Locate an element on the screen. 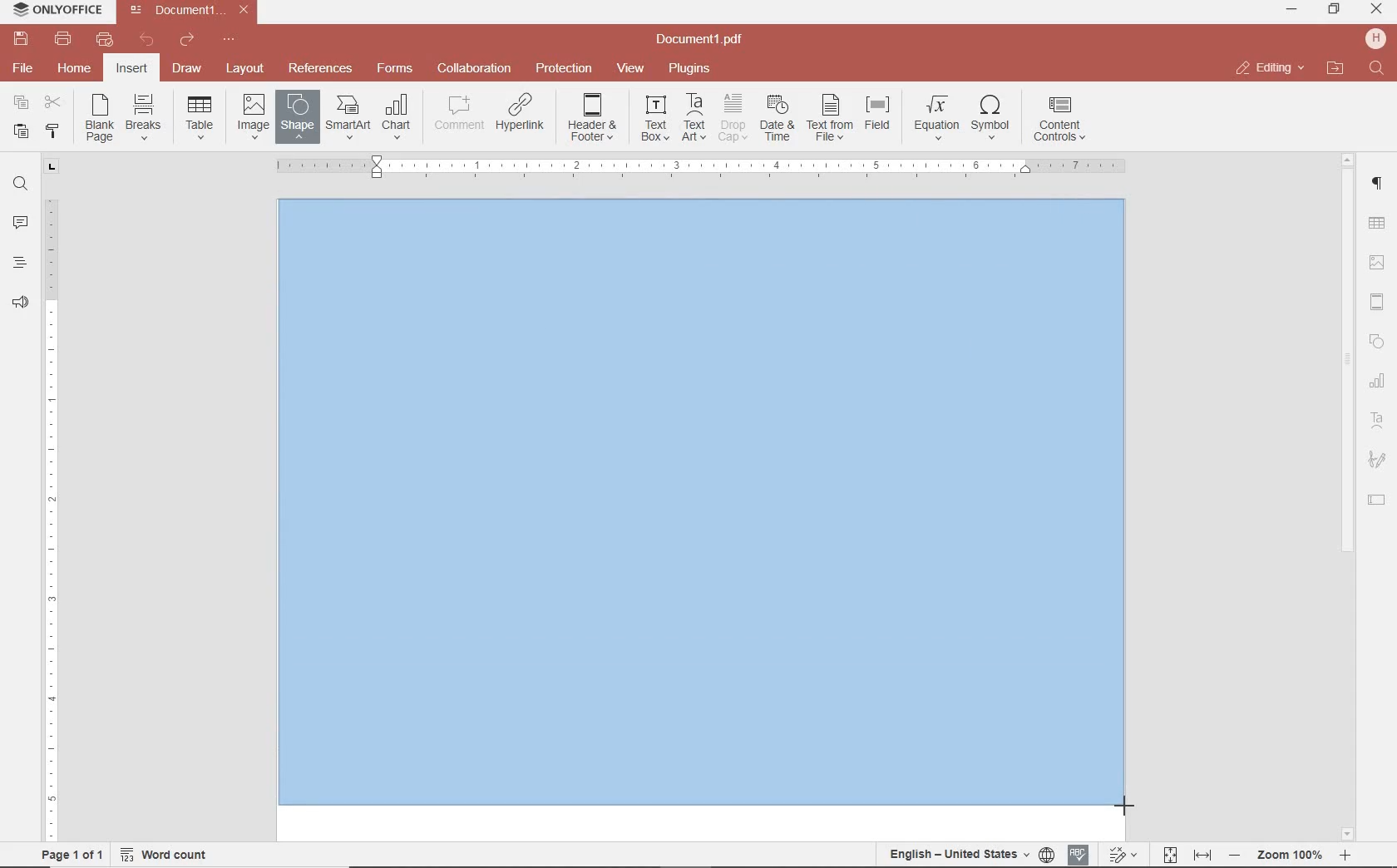 This screenshot has height=868, width=1397. INSERT TEXT ART is located at coordinates (694, 118).